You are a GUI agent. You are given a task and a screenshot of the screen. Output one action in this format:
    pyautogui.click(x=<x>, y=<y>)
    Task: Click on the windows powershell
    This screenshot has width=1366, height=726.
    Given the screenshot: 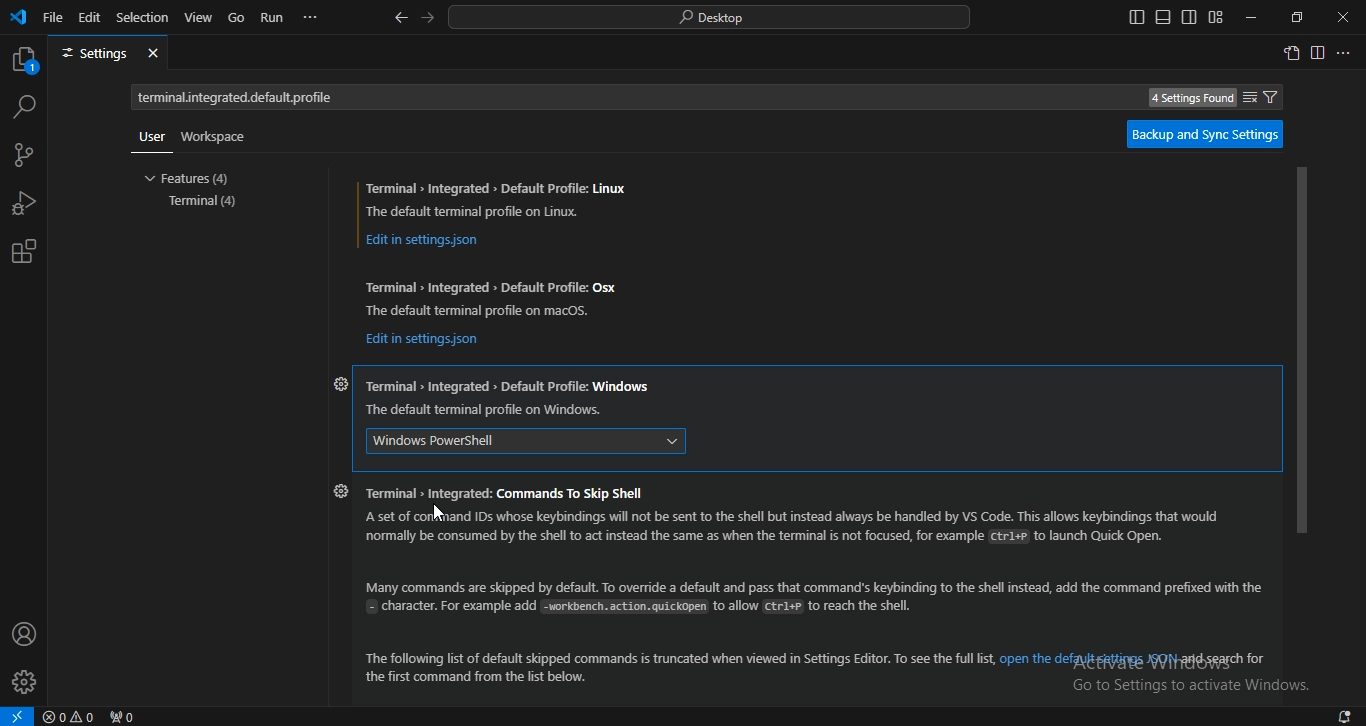 What is the action you would take?
    pyautogui.click(x=526, y=442)
    